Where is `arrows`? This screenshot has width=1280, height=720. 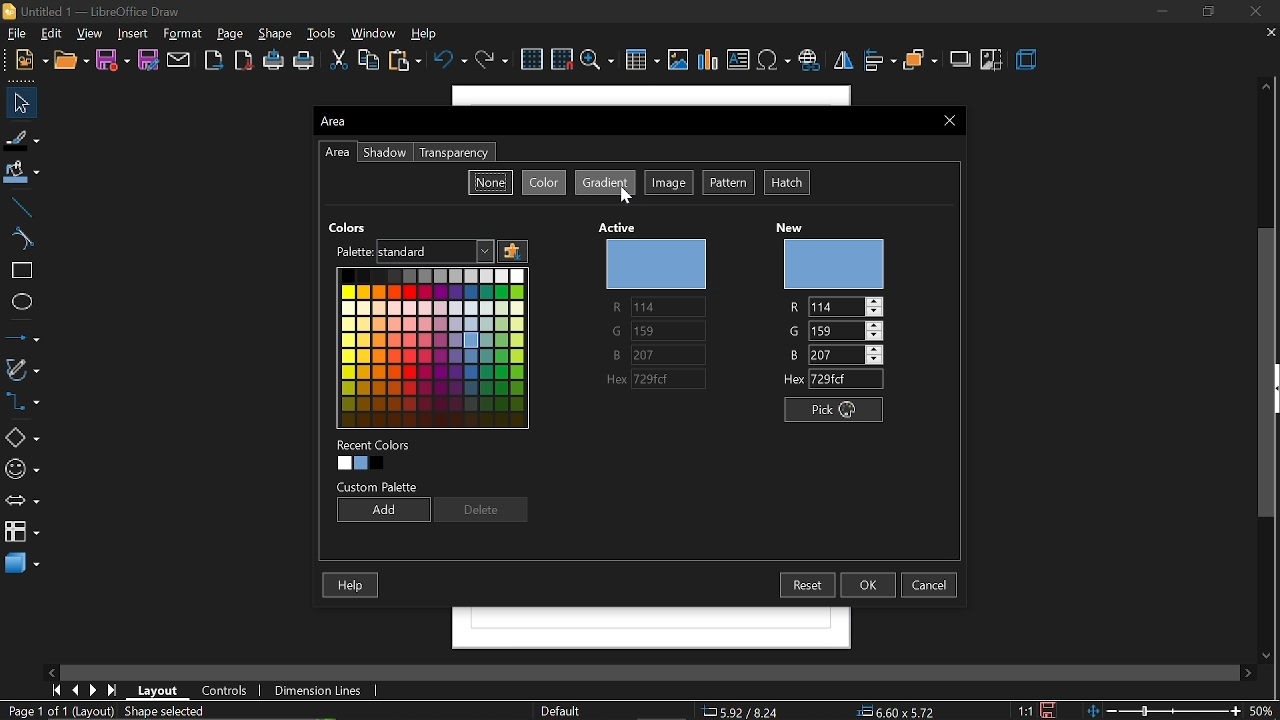
arrows is located at coordinates (22, 503).